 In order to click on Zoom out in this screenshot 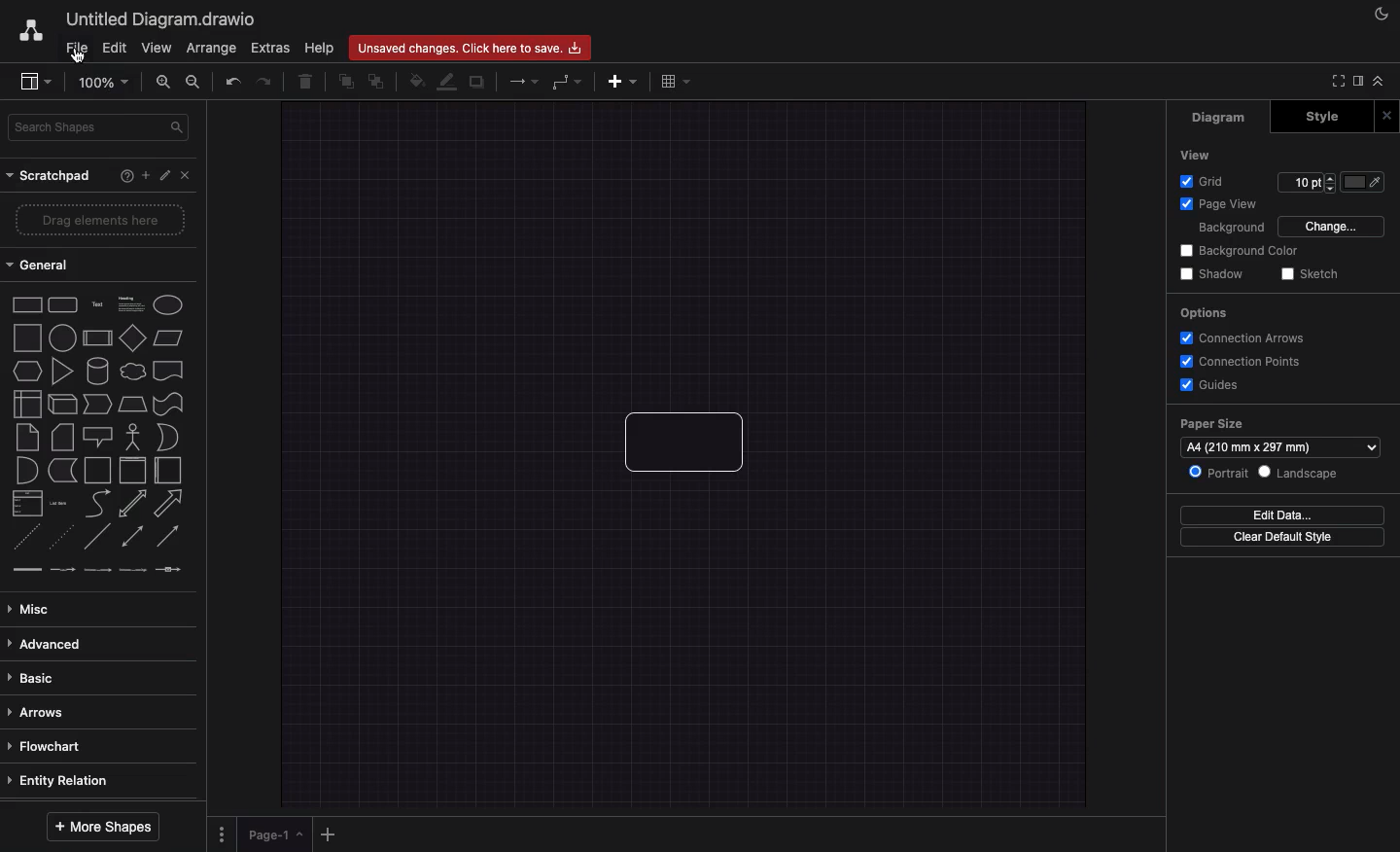, I will do `click(194, 82)`.